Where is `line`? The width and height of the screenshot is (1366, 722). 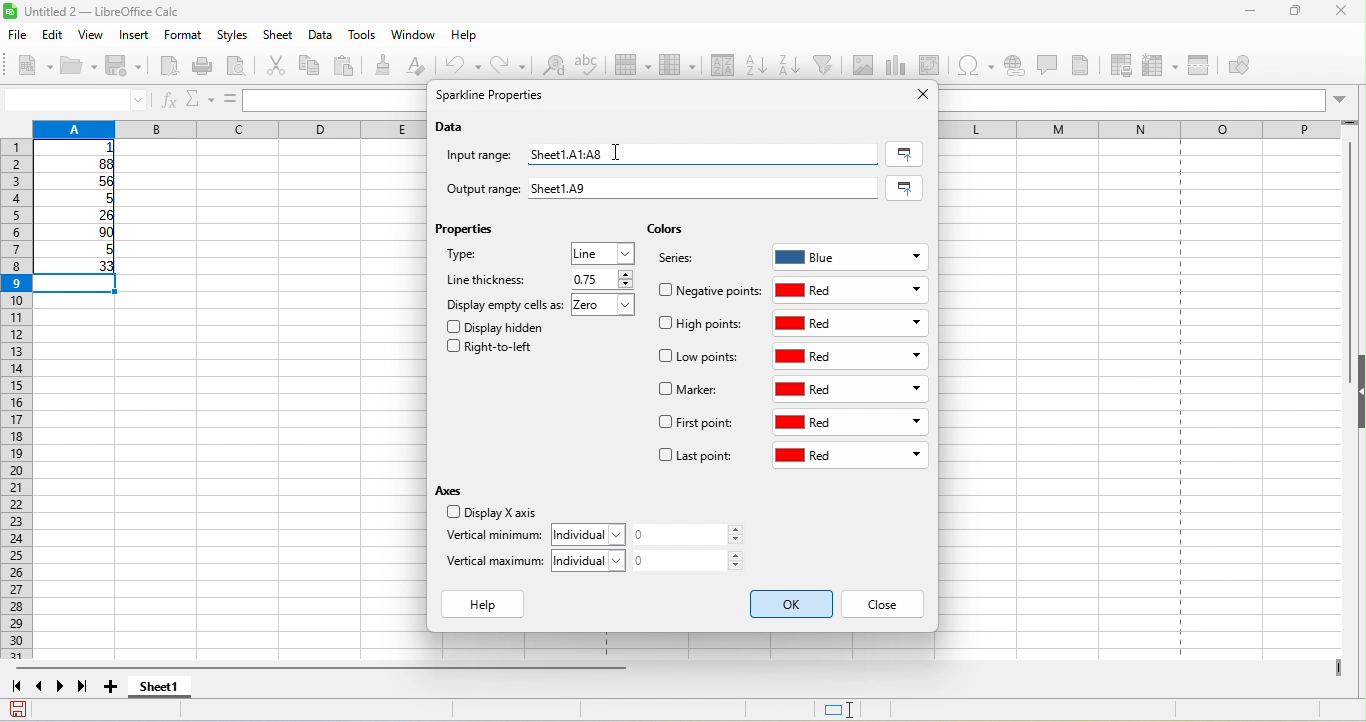 line is located at coordinates (604, 256).